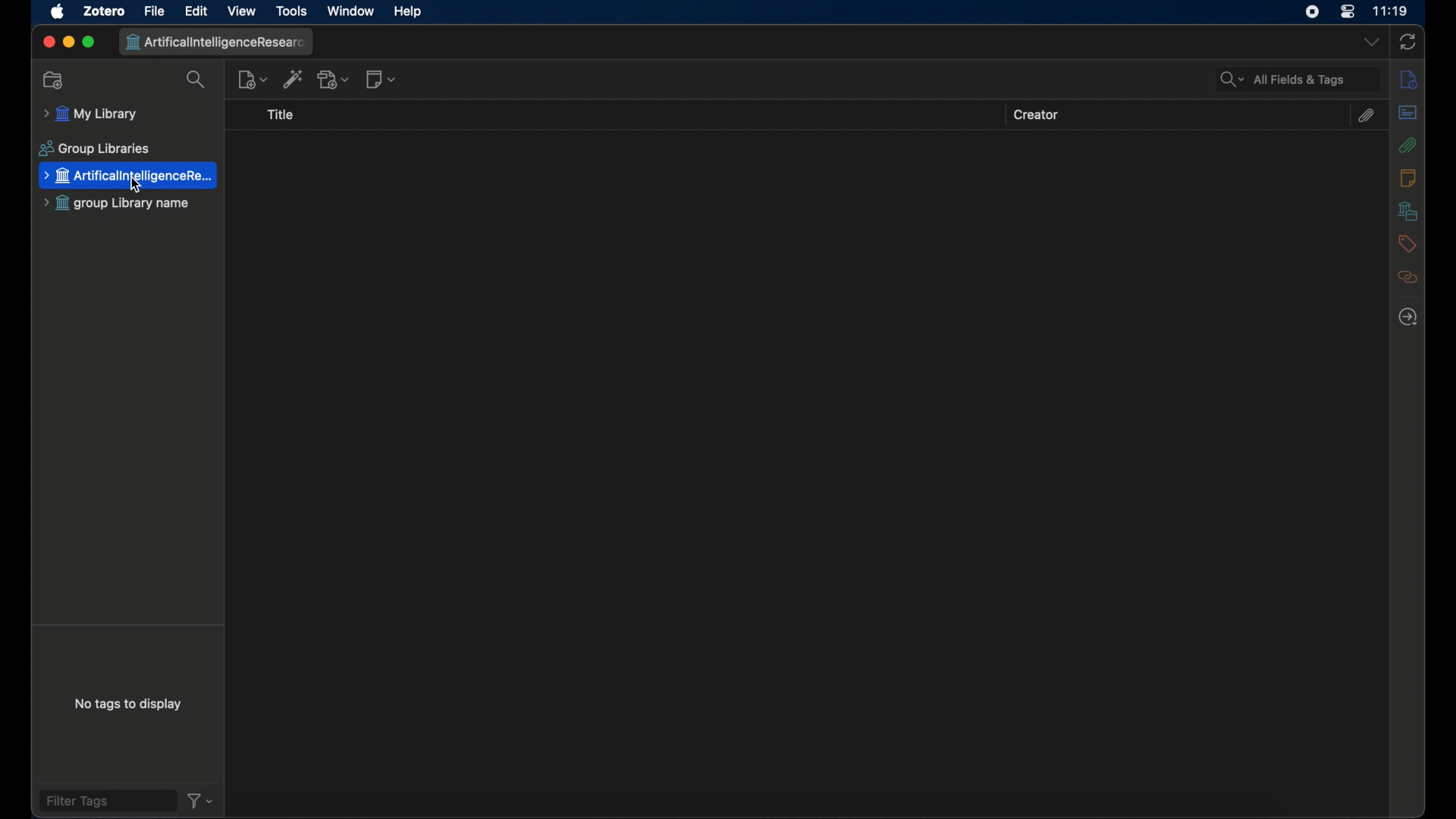 This screenshot has width=1456, height=819. I want to click on locate, so click(1407, 317).